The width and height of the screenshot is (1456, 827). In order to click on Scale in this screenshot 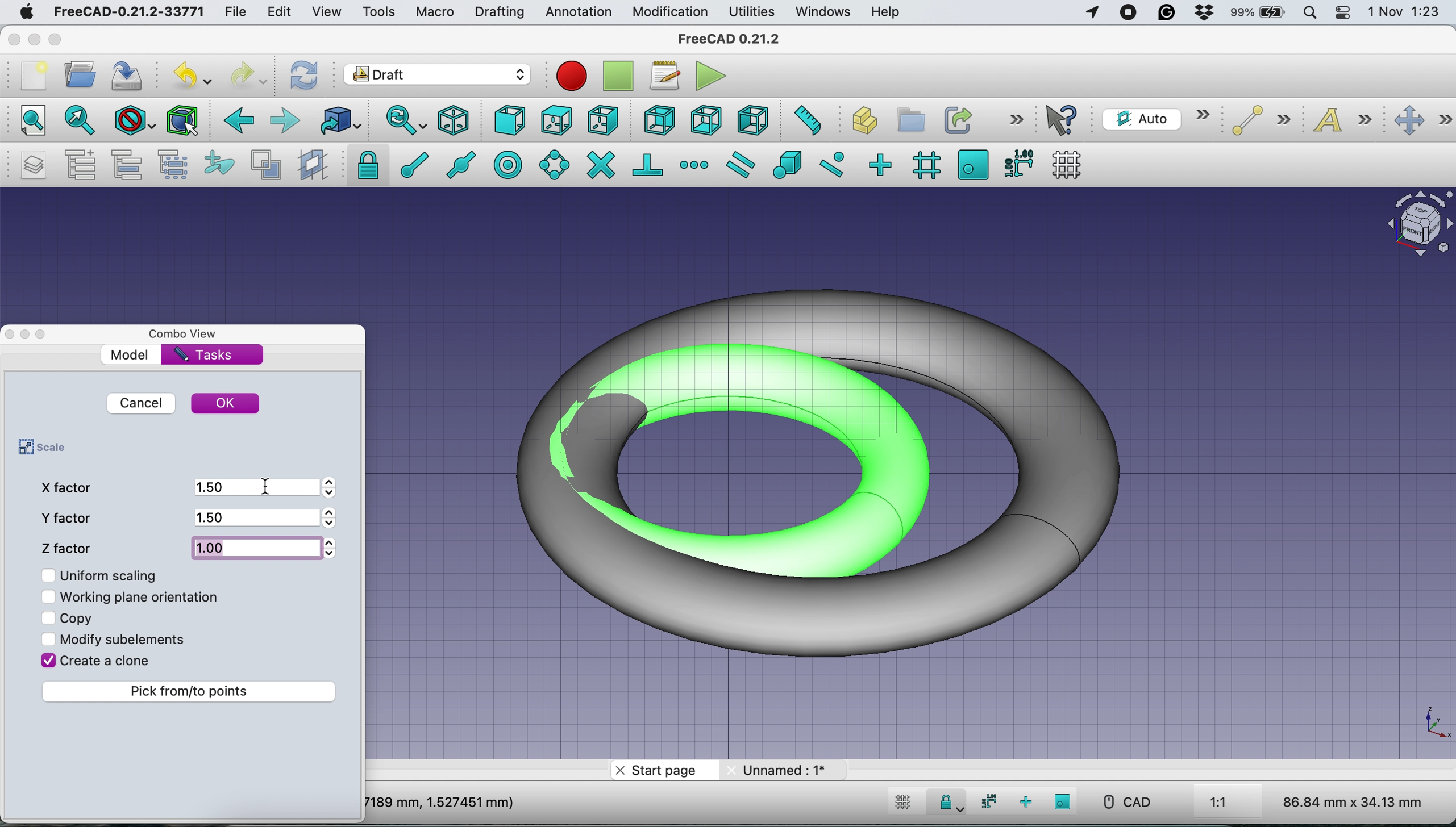, I will do `click(1434, 724)`.